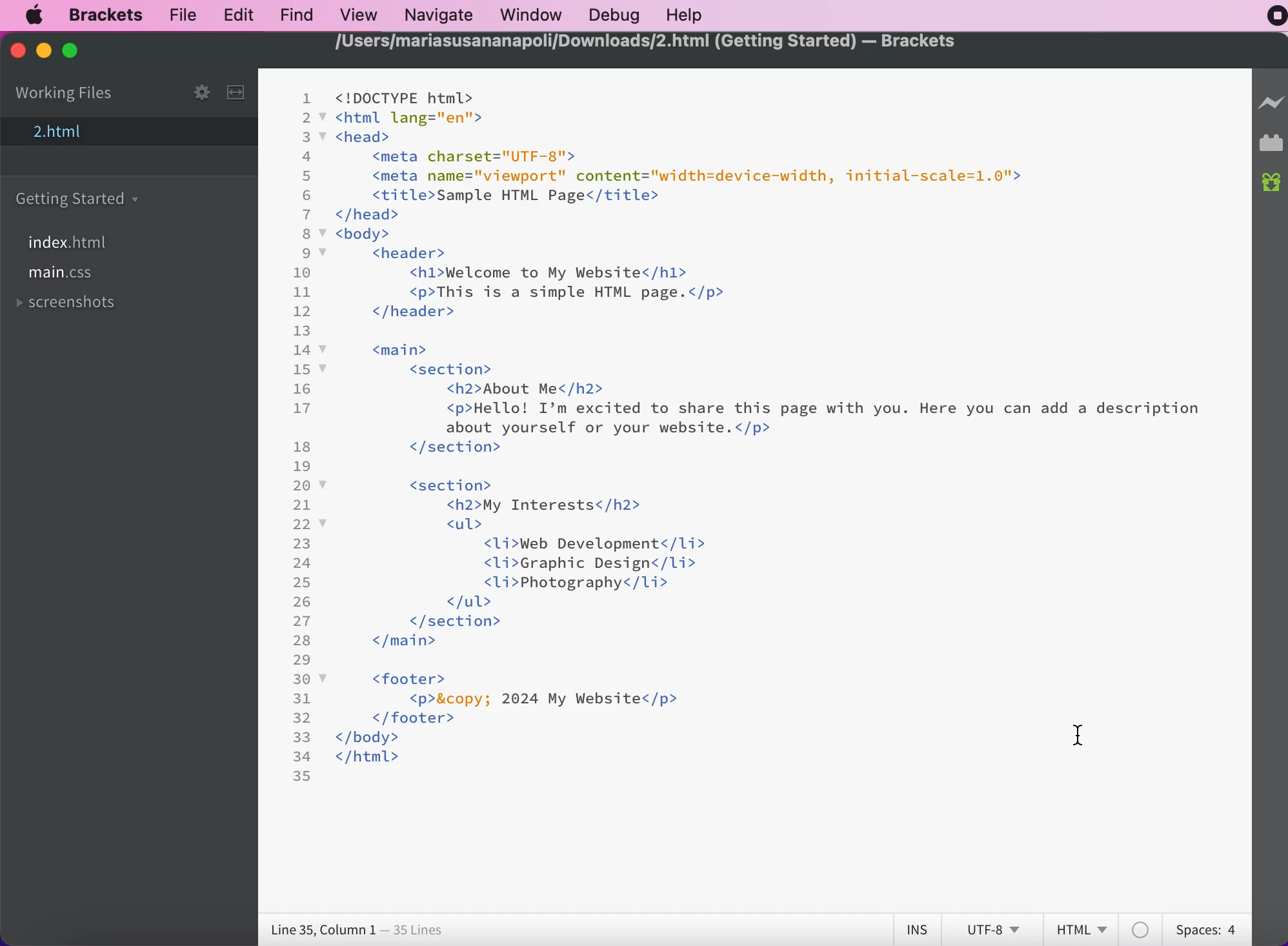 The height and width of the screenshot is (946, 1288). I want to click on utf-8, so click(1004, 928).